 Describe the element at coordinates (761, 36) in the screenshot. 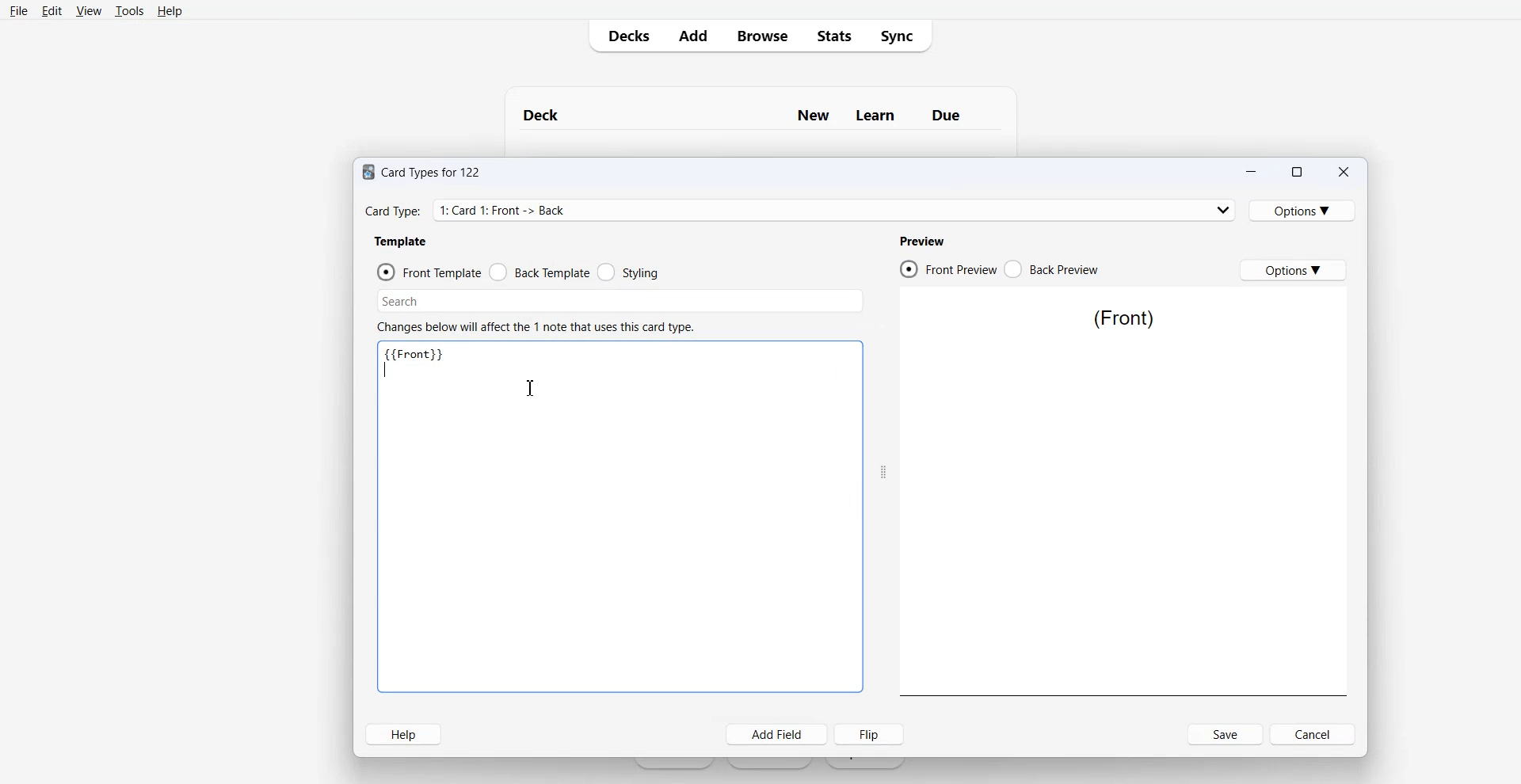

I see `Browser` at that location.